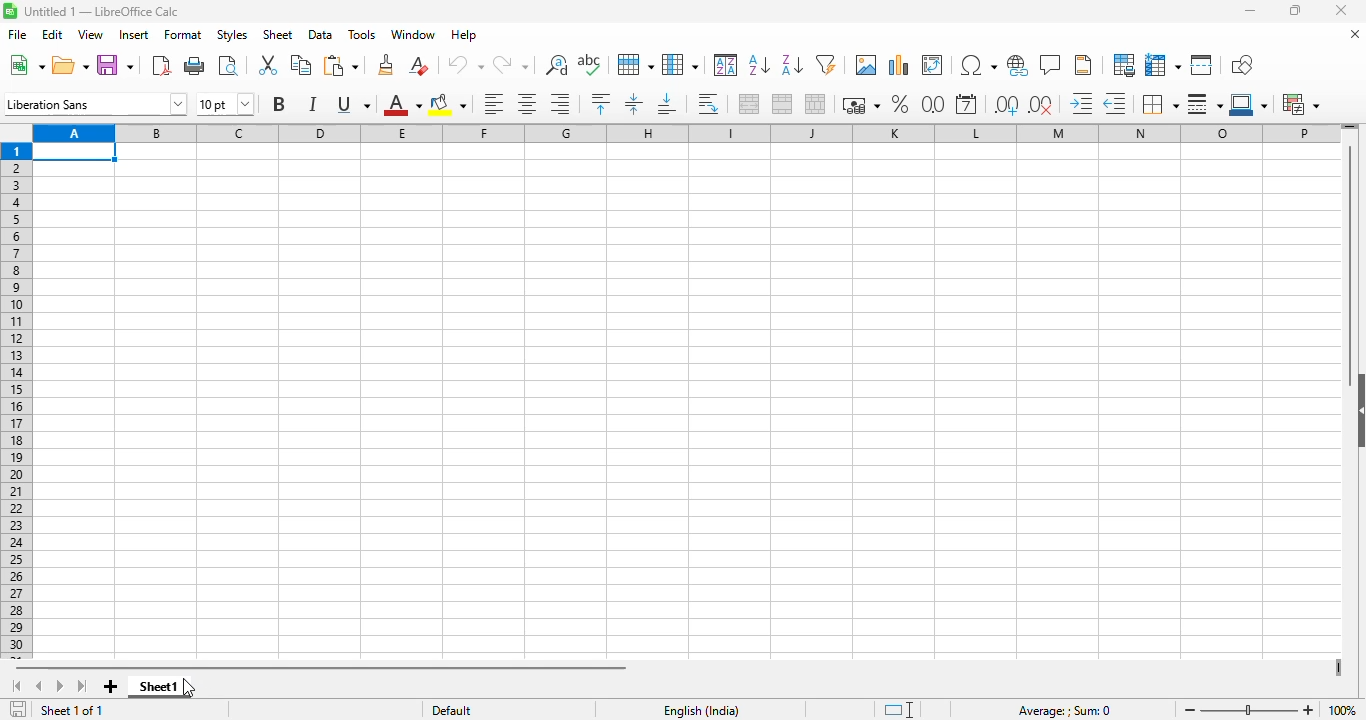 Image resolution: width=1366 pixels, height=720 pixels. Describe the element at coordinates (1159, 104) in the screenshot. I see `borders` at that location.